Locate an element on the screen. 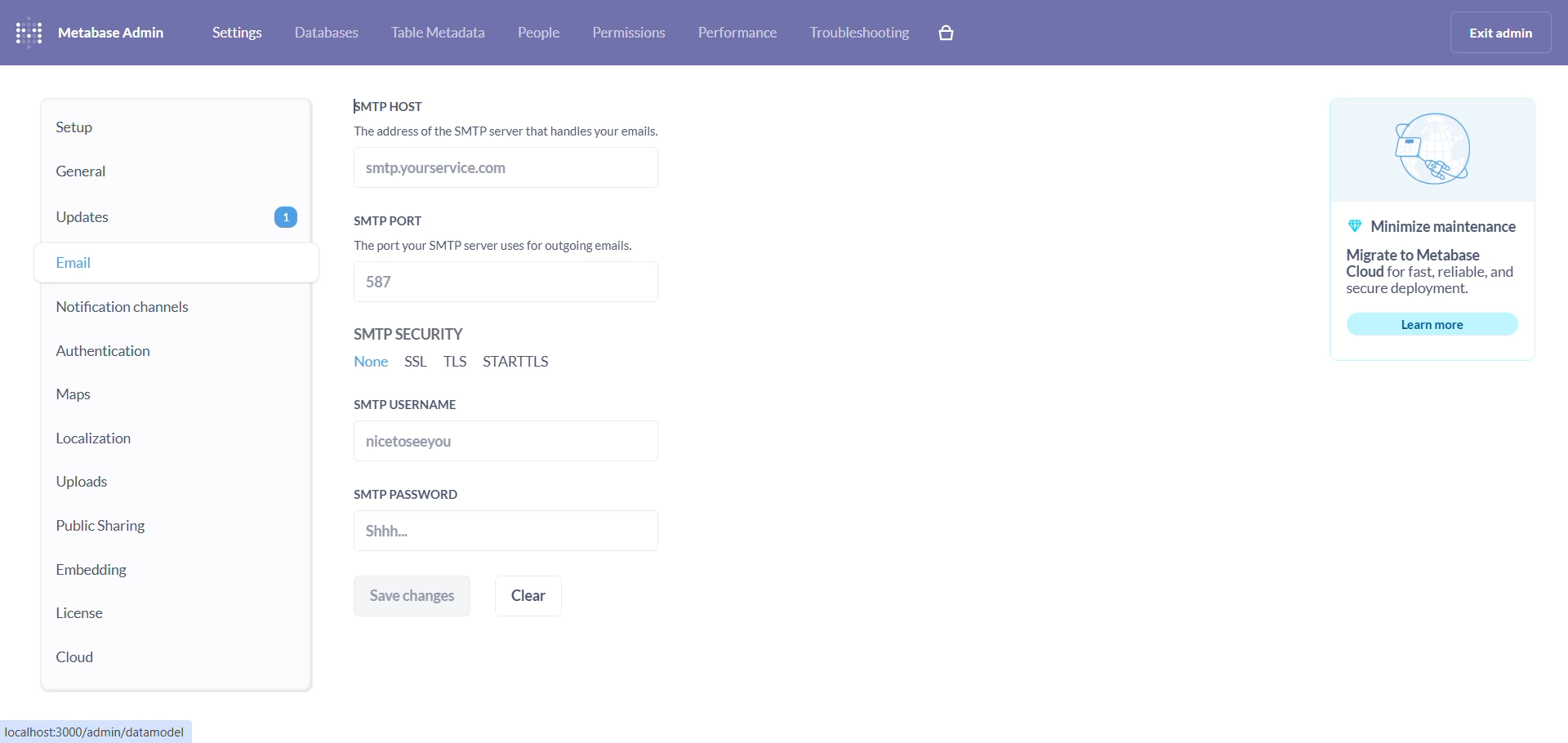 This screenshot has height=743, width=1568. username textbox is located at coordinates (470, 446).